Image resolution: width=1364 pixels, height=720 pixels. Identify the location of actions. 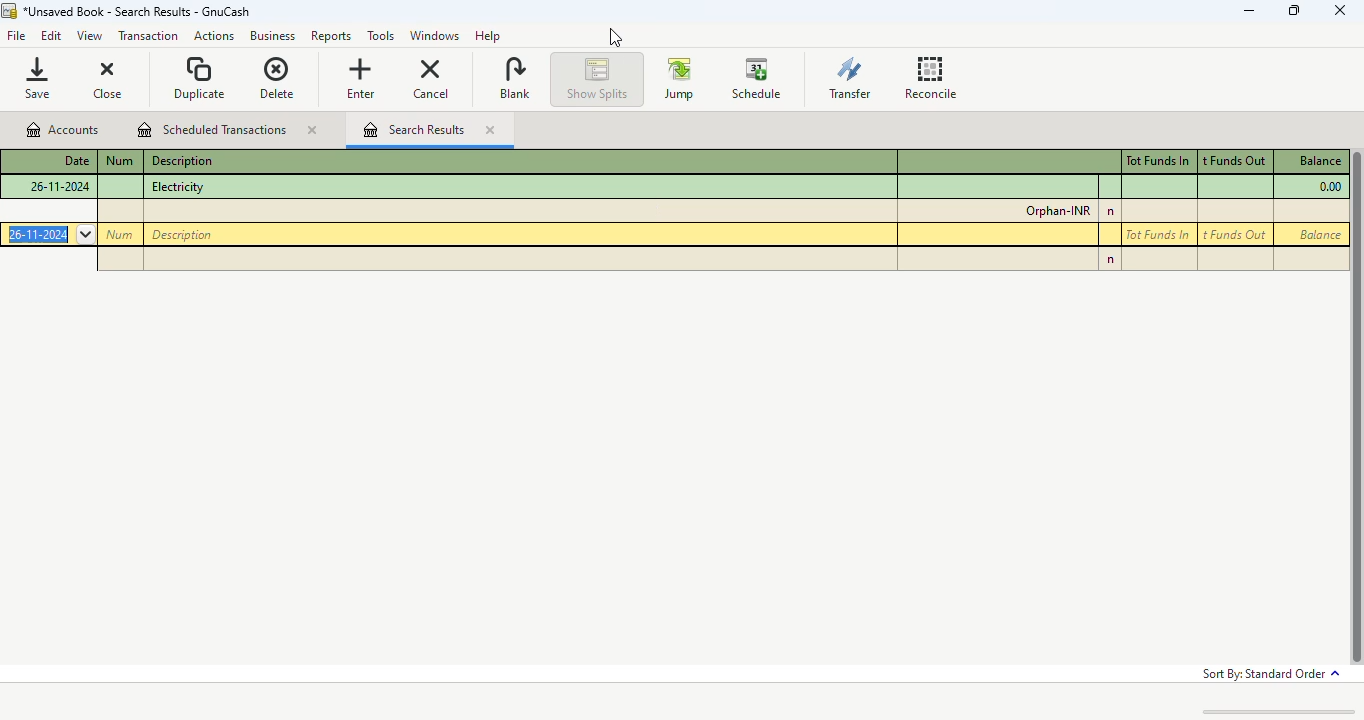
(212, 37).